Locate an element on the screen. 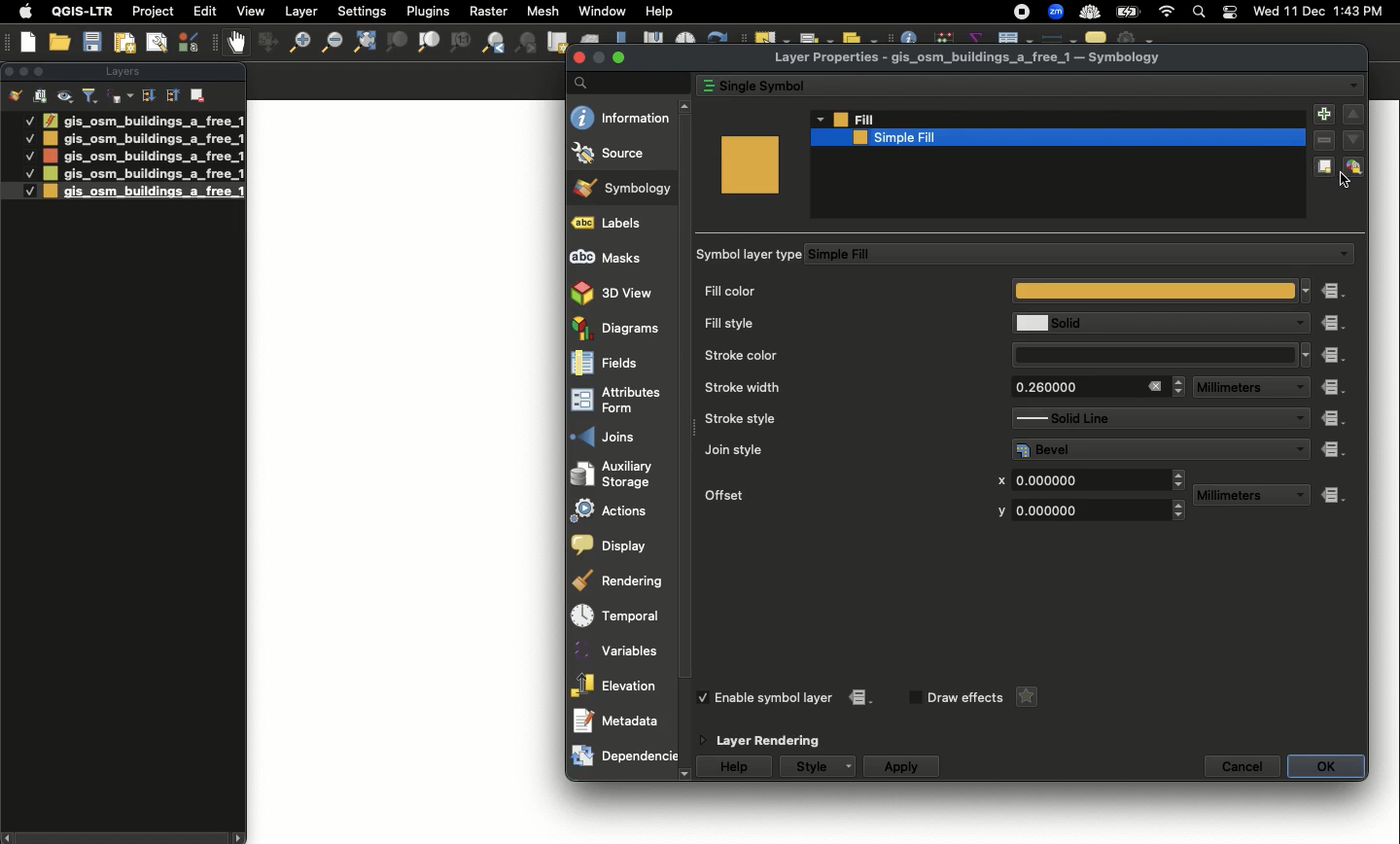  down is located at coordinates (685, 775).